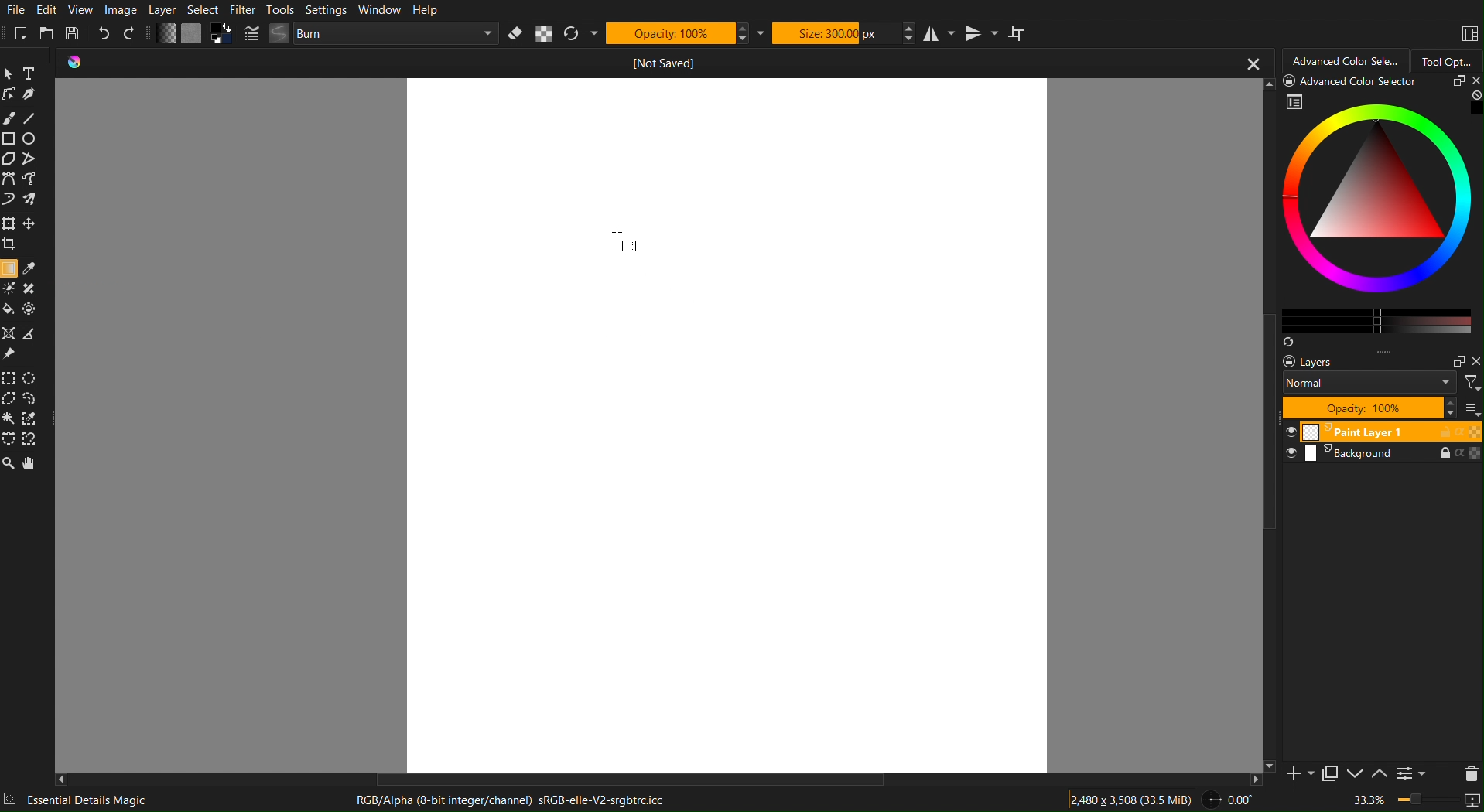 This screenshot has height=812, width=1484. Describe the element at coordinates (22, 34) in the screenshot. I see `New` at that location.